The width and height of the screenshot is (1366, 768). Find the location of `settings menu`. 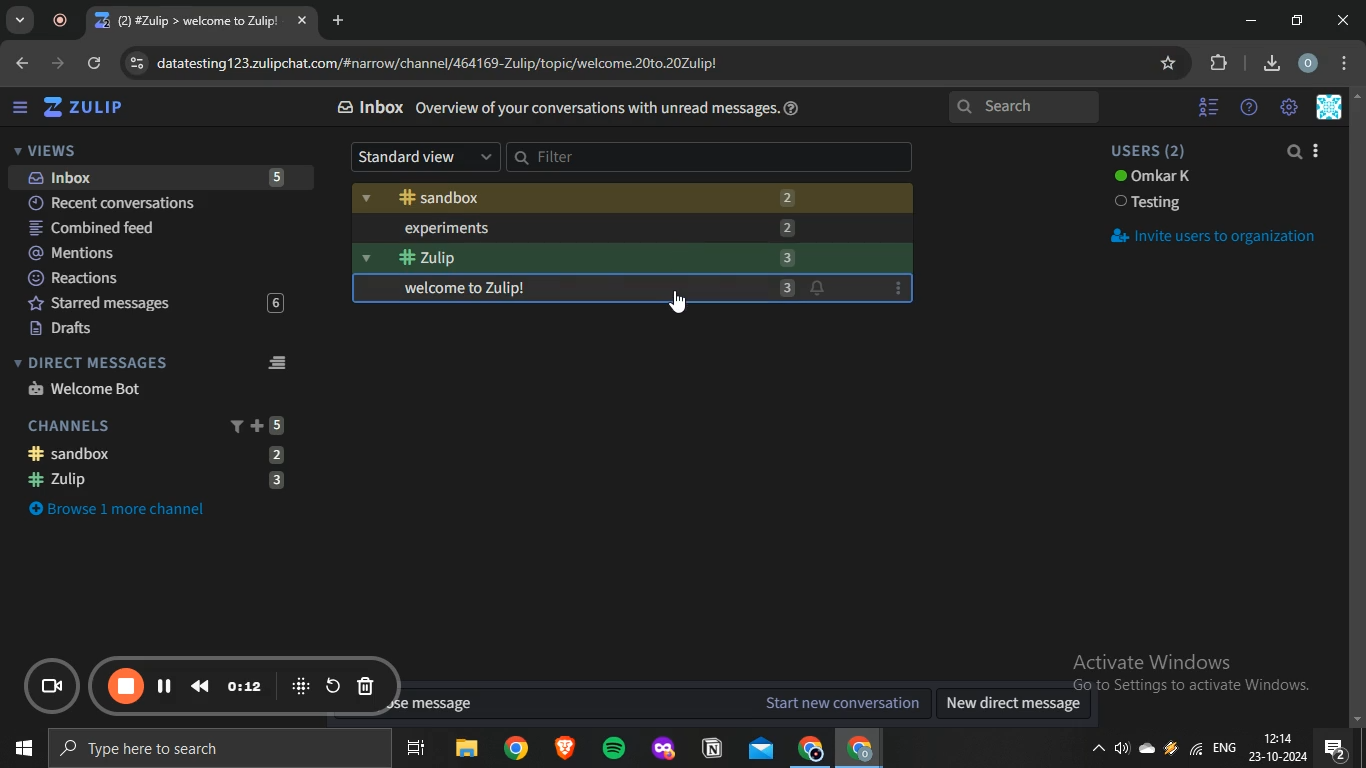

settings menu is located at coordinates (1348, 64).